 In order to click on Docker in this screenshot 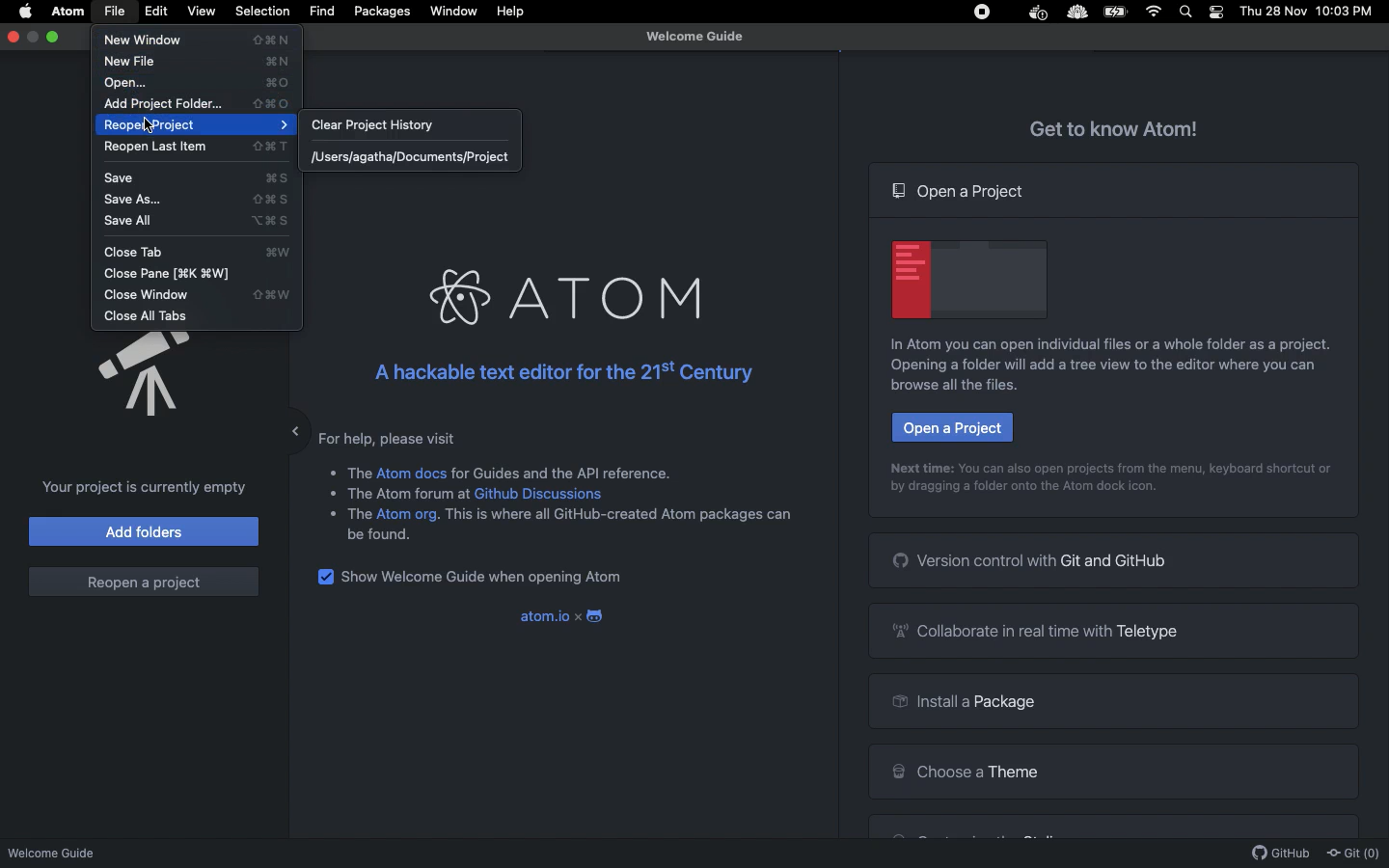, I will do `click(1036, 14)`.